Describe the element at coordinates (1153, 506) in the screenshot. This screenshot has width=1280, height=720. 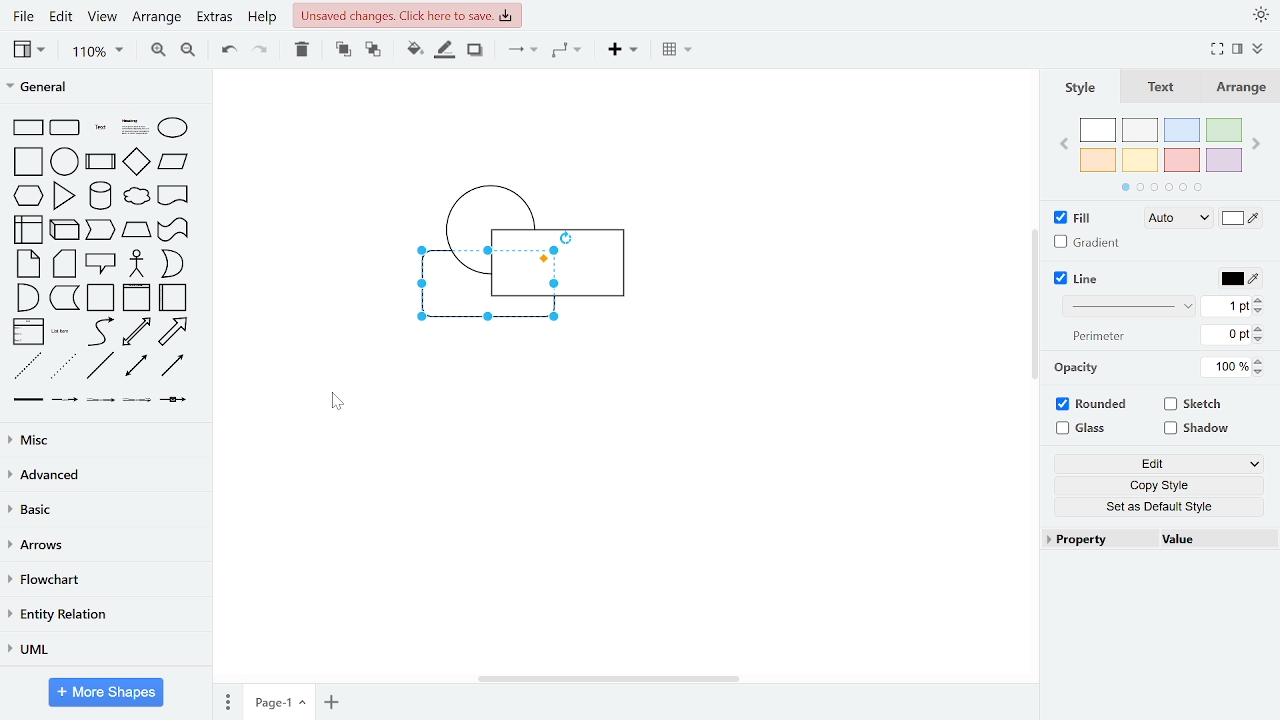
I see `set as default style` at that location.